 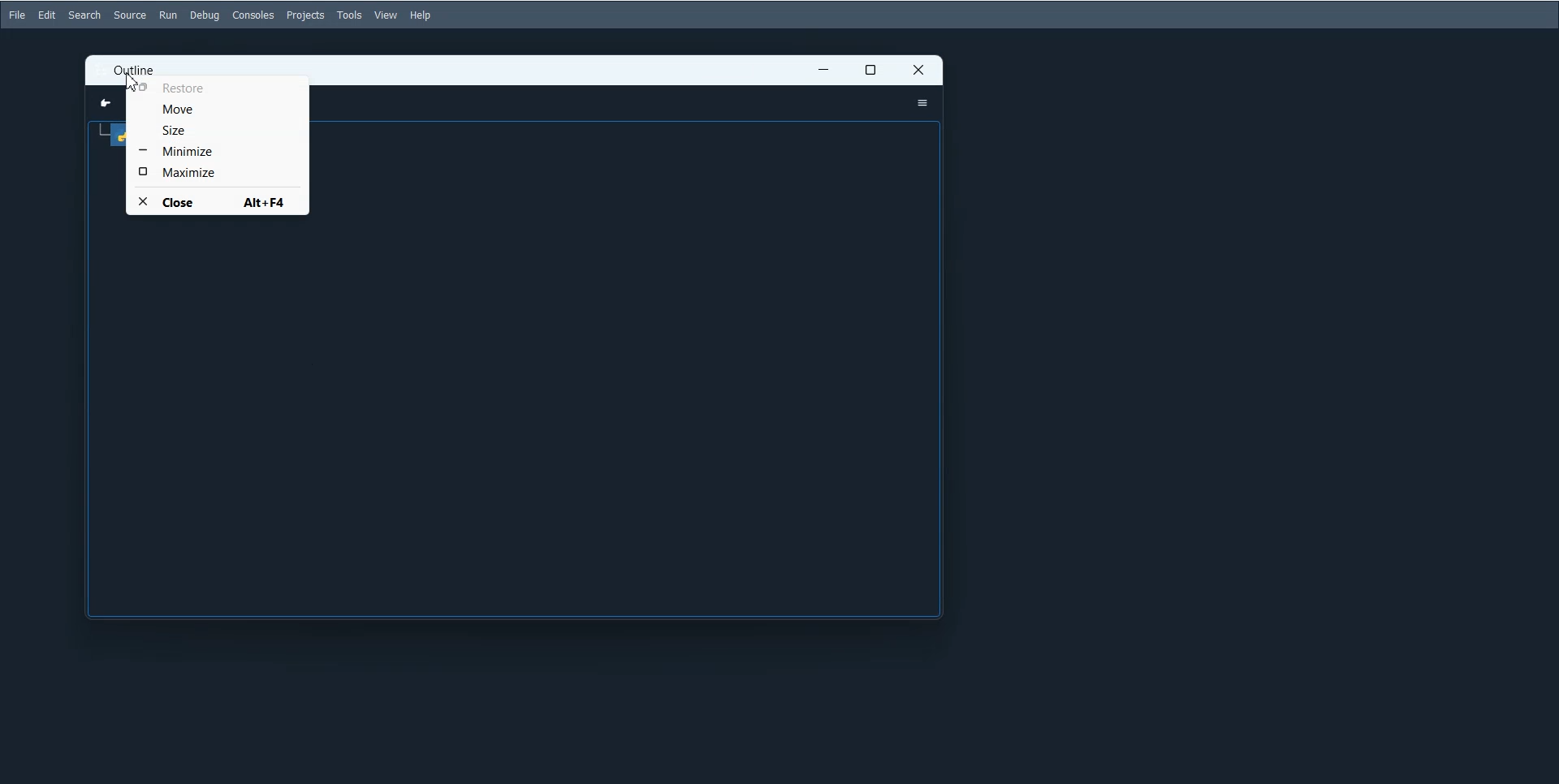 What do you see at coordinates (16, 15) in the screenshot?
I see `File` at bounding box center [16, 15].